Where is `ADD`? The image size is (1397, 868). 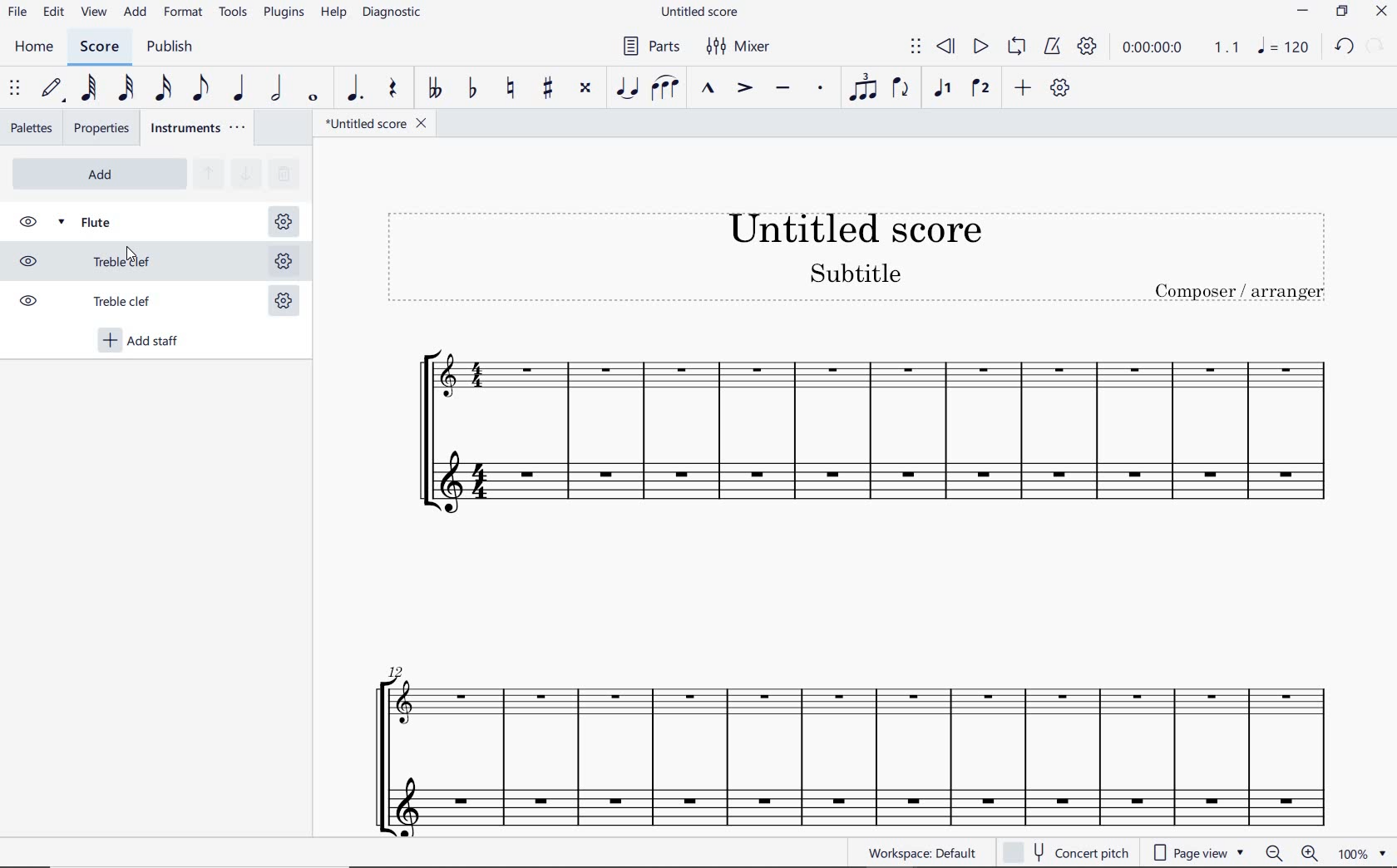 ADD is located at coordinates (135, 14).